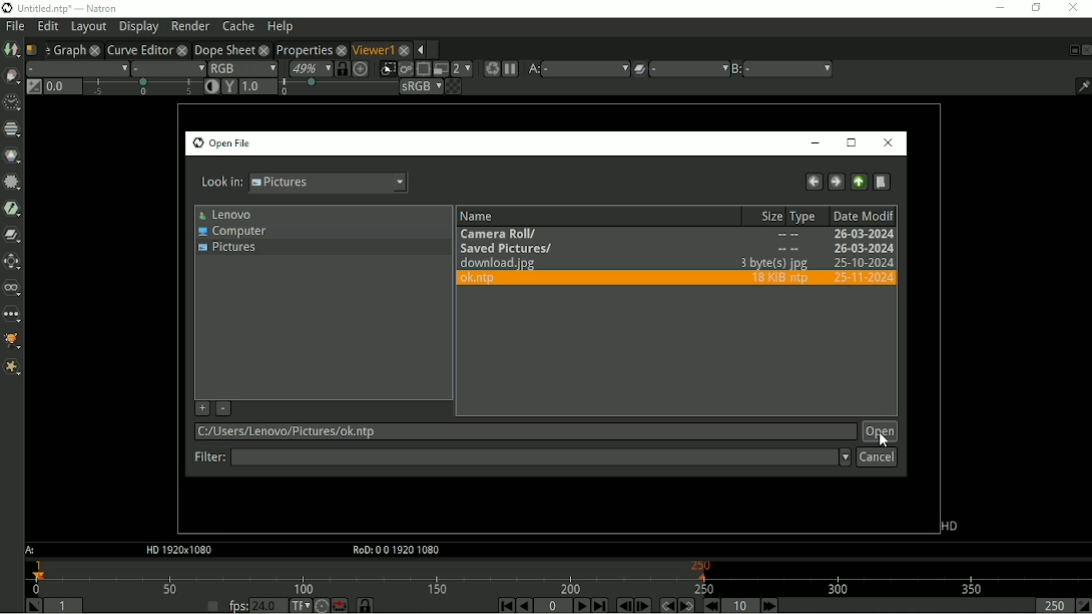 This screenshot has height=614, width=1092. What do you see at coordinates (435, 49) in the screenshot?
I see `Expand` at bounding box center [435, 49].